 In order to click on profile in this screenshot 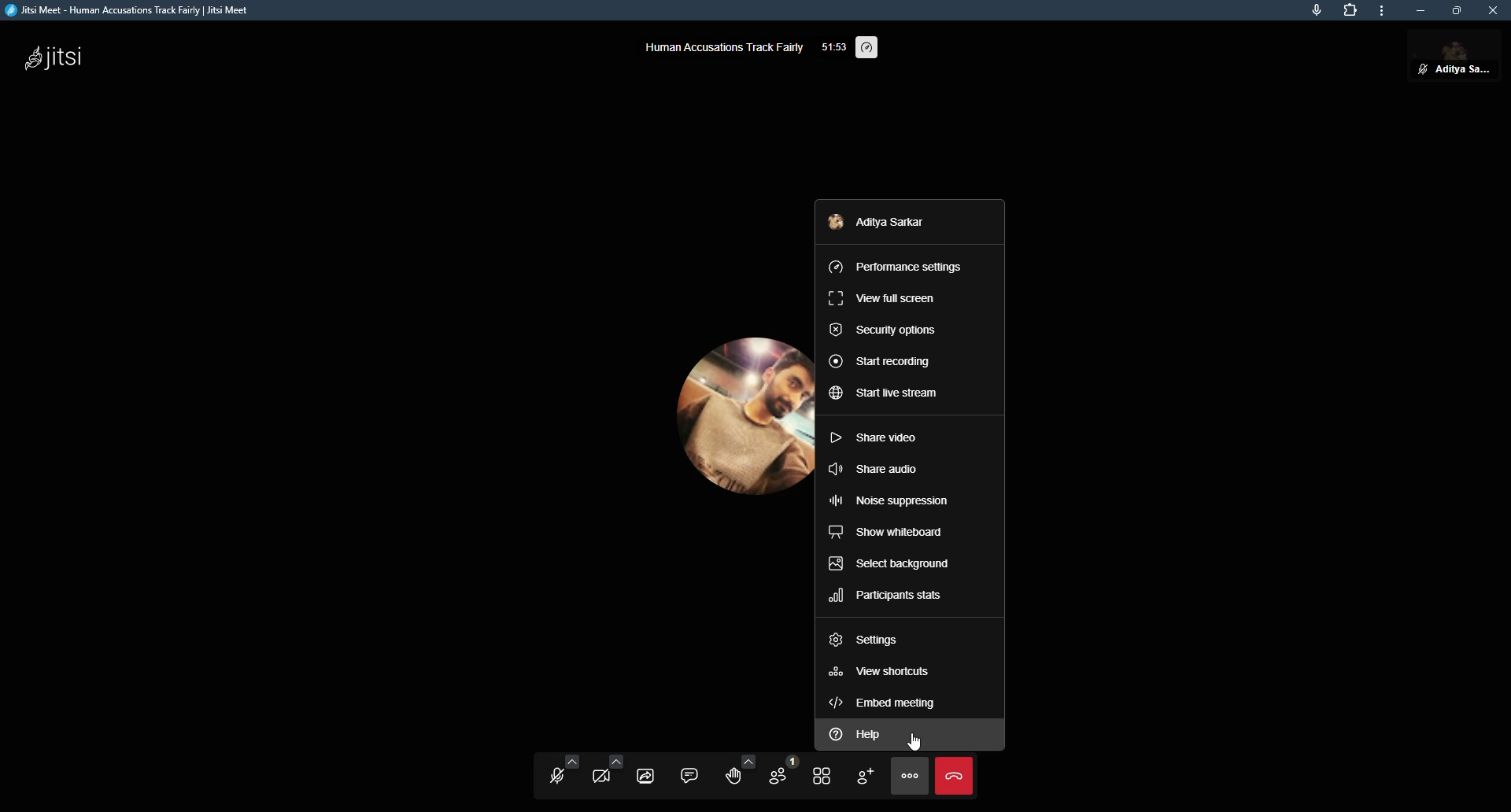, I will do `click(878, 223)`.